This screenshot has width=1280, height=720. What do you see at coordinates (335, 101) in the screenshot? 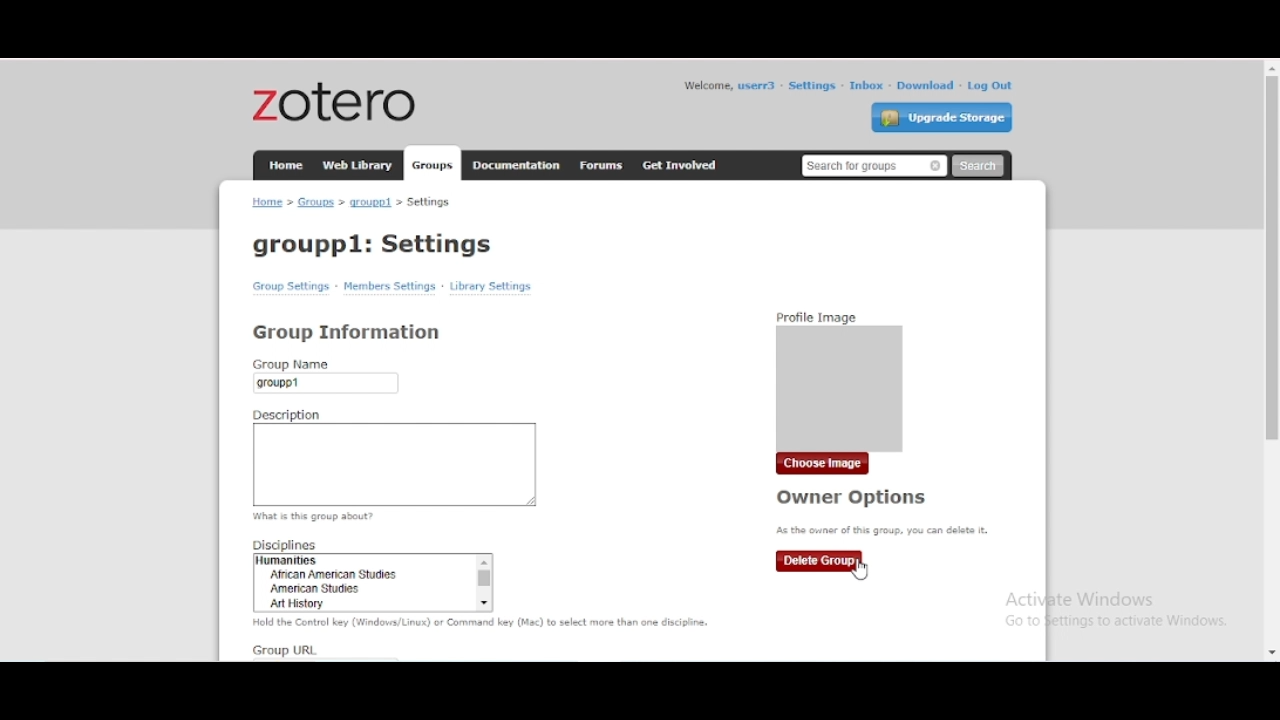
I see `zotero` at bounding box center [335, 101].